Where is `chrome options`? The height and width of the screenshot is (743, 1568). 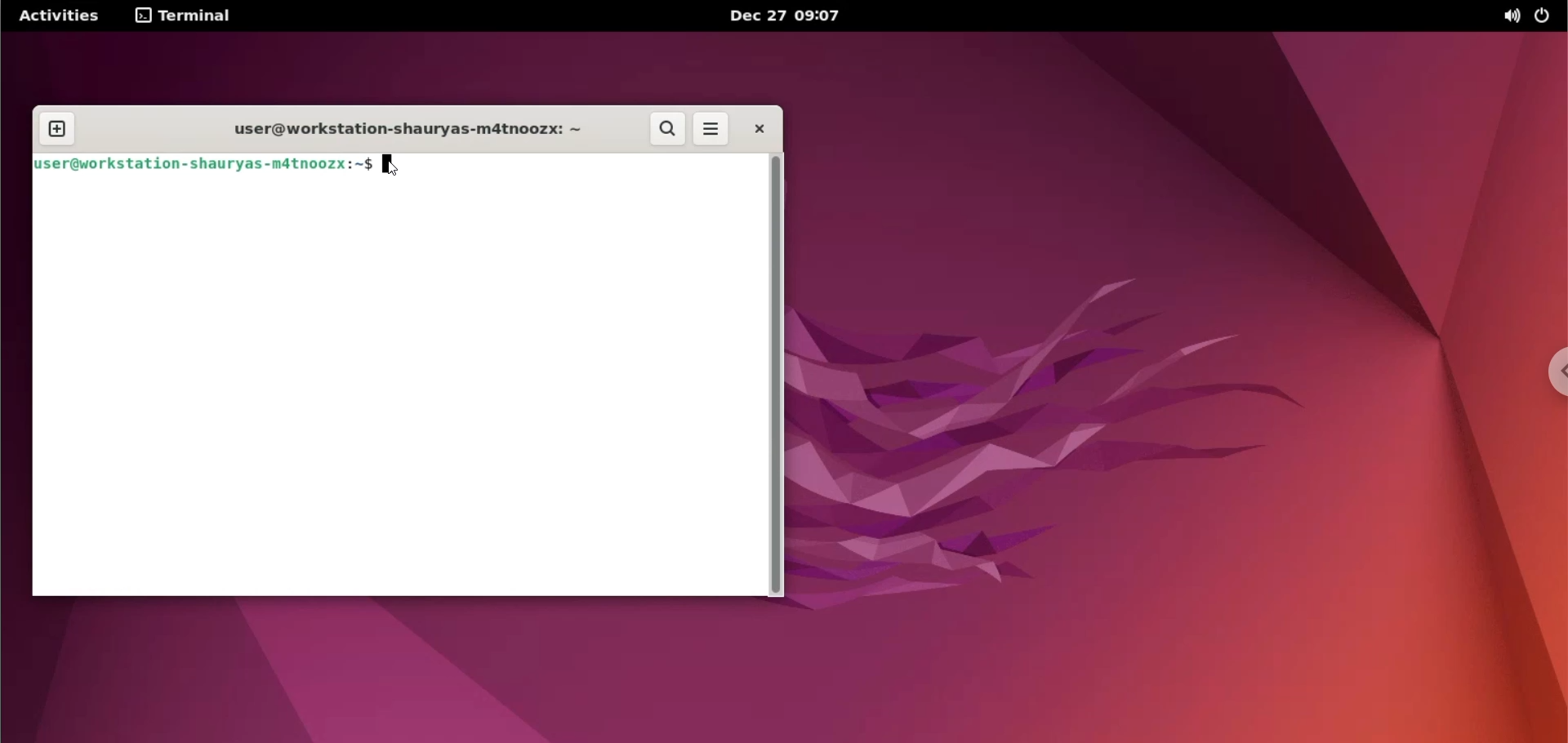 chrome options is located at coordinates (1553, 376).